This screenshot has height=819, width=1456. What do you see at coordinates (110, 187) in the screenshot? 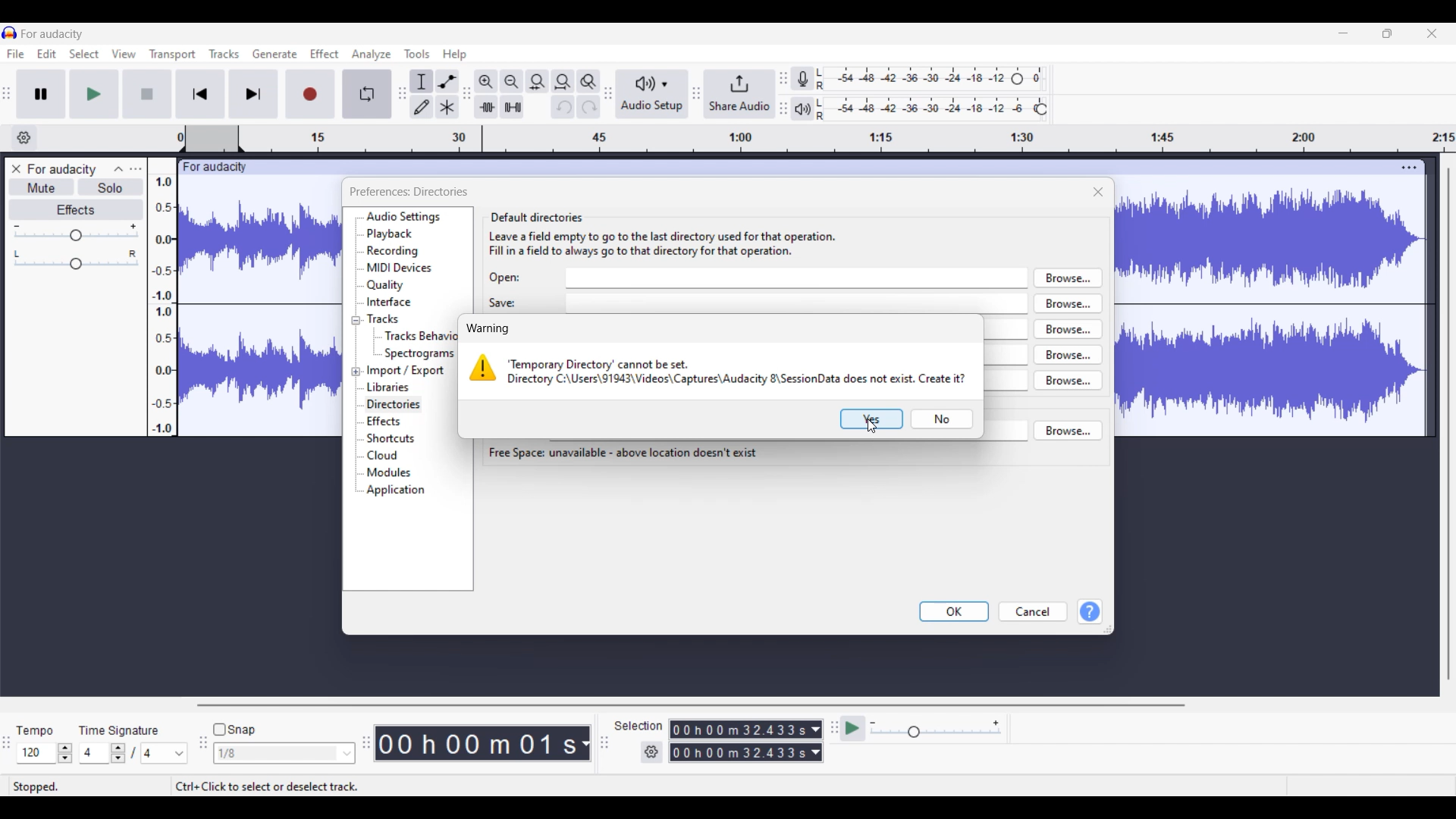
I see `Solo` at bounding box center [110, 187].